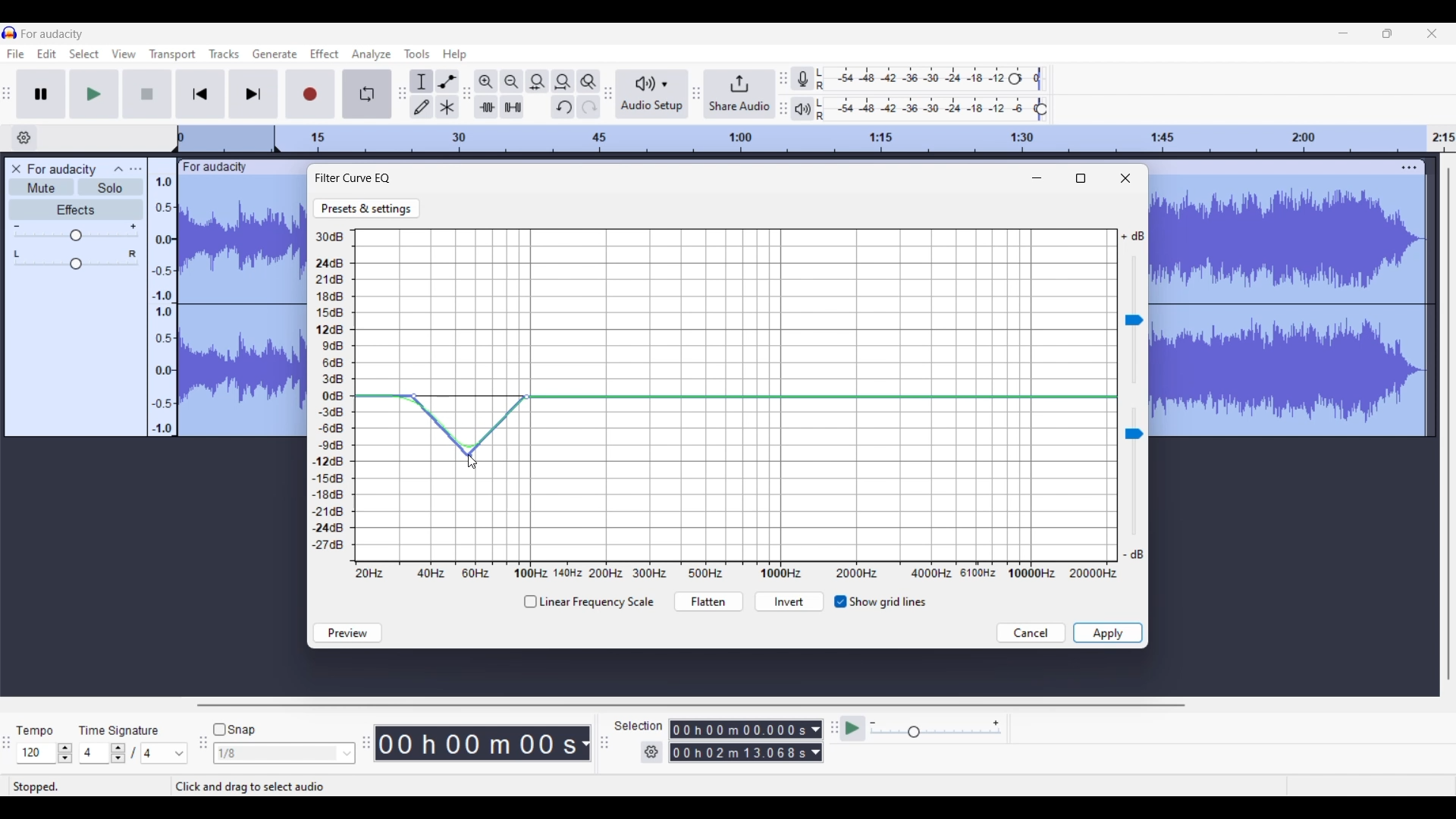  Describe the element at coordinates (277, 754) in the screenshot. I see `Type in snap` at that location.